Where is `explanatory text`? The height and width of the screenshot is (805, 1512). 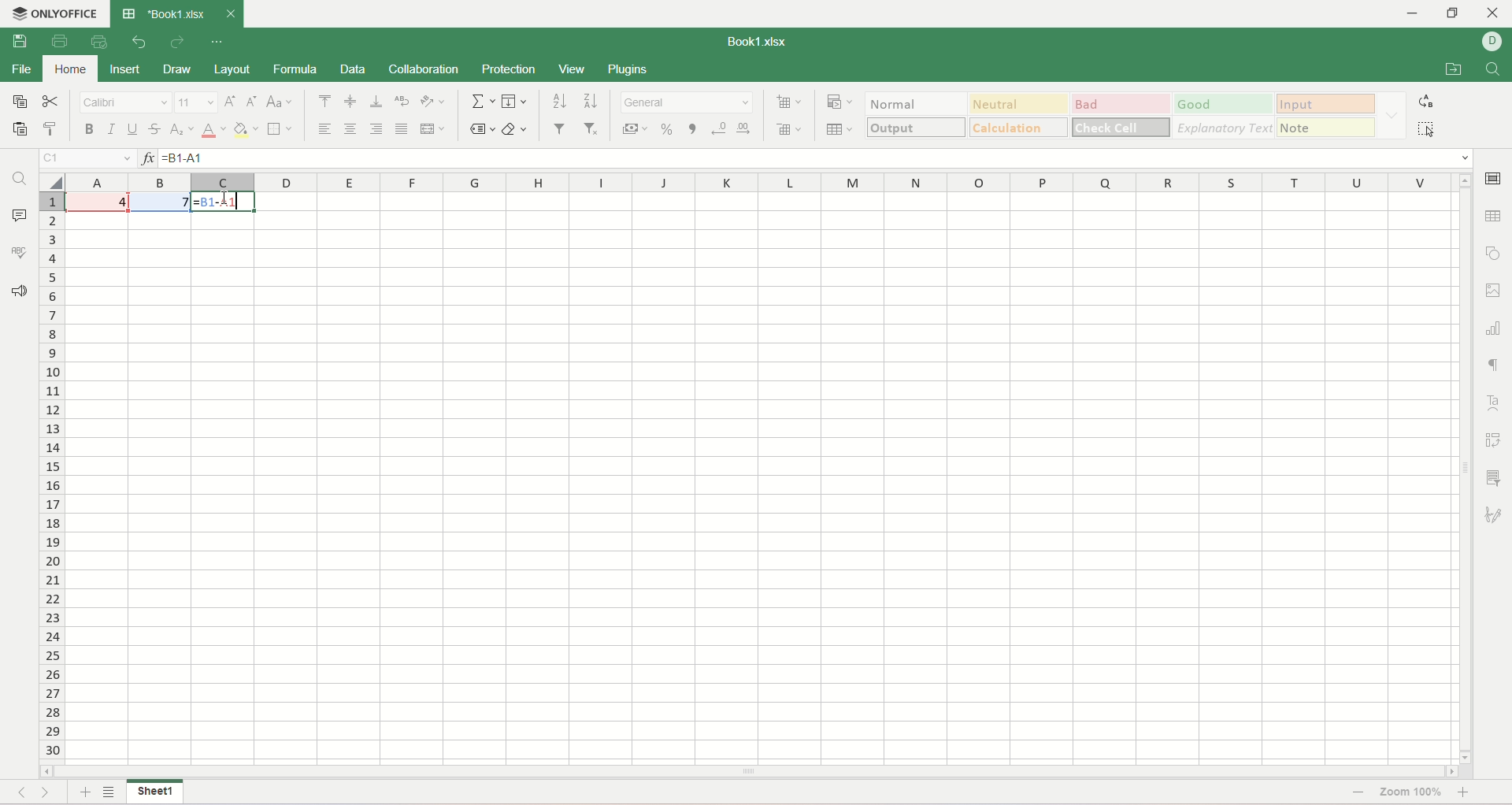 explanatory text is located at coordinates (1224, 127).